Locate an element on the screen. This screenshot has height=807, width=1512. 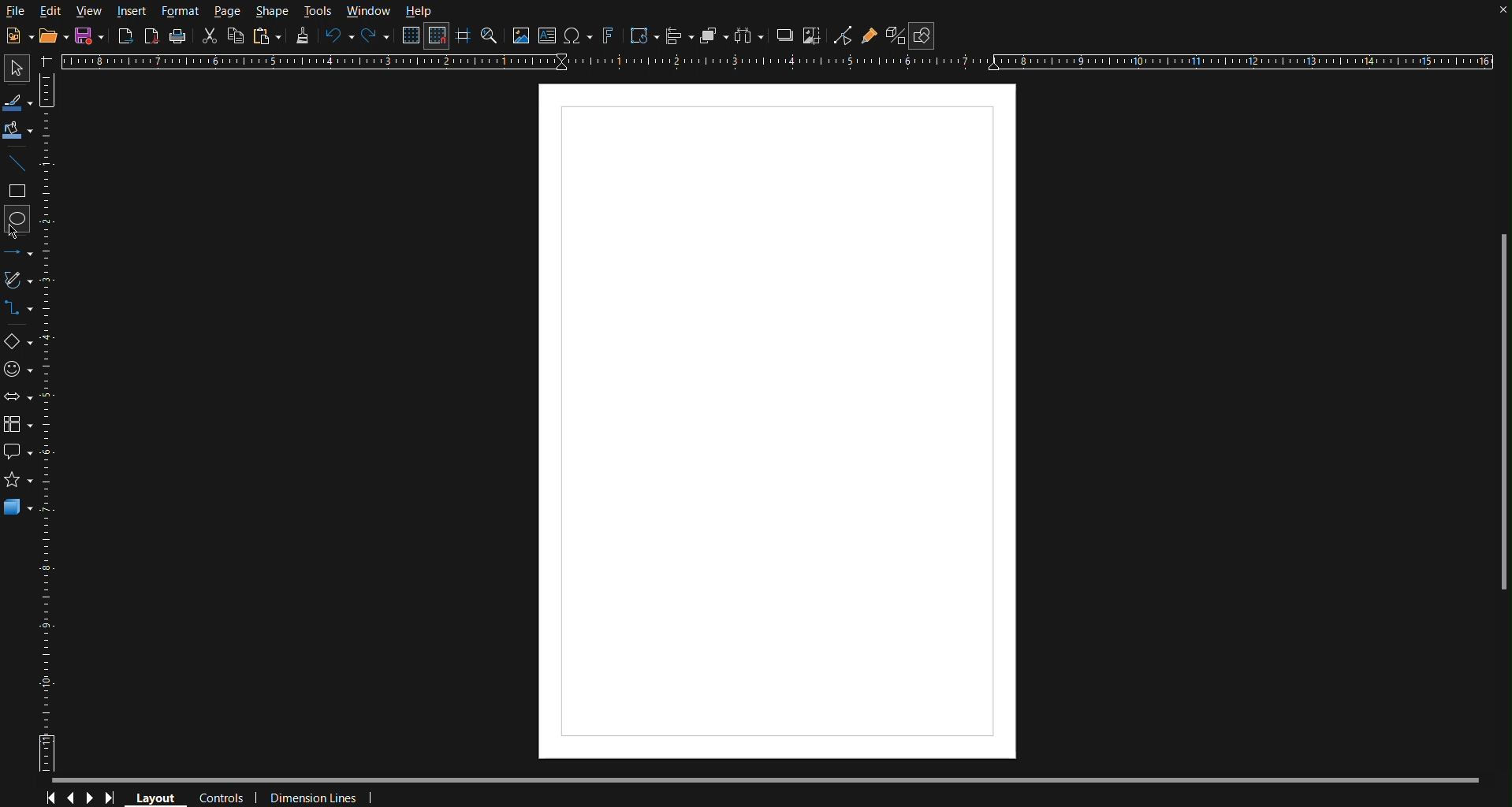
Window is located at coordinates (368, 10).